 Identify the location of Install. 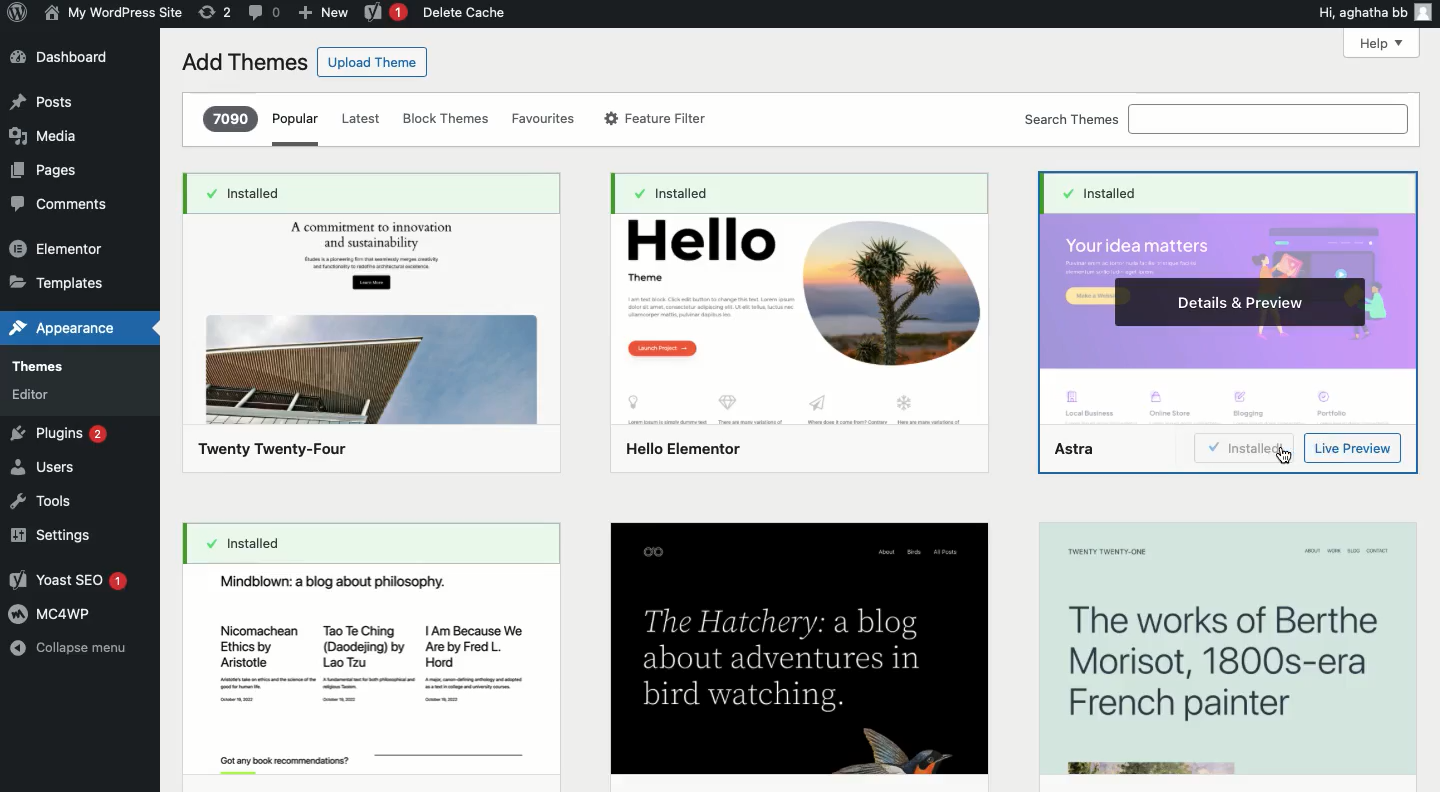
(1246, 449).